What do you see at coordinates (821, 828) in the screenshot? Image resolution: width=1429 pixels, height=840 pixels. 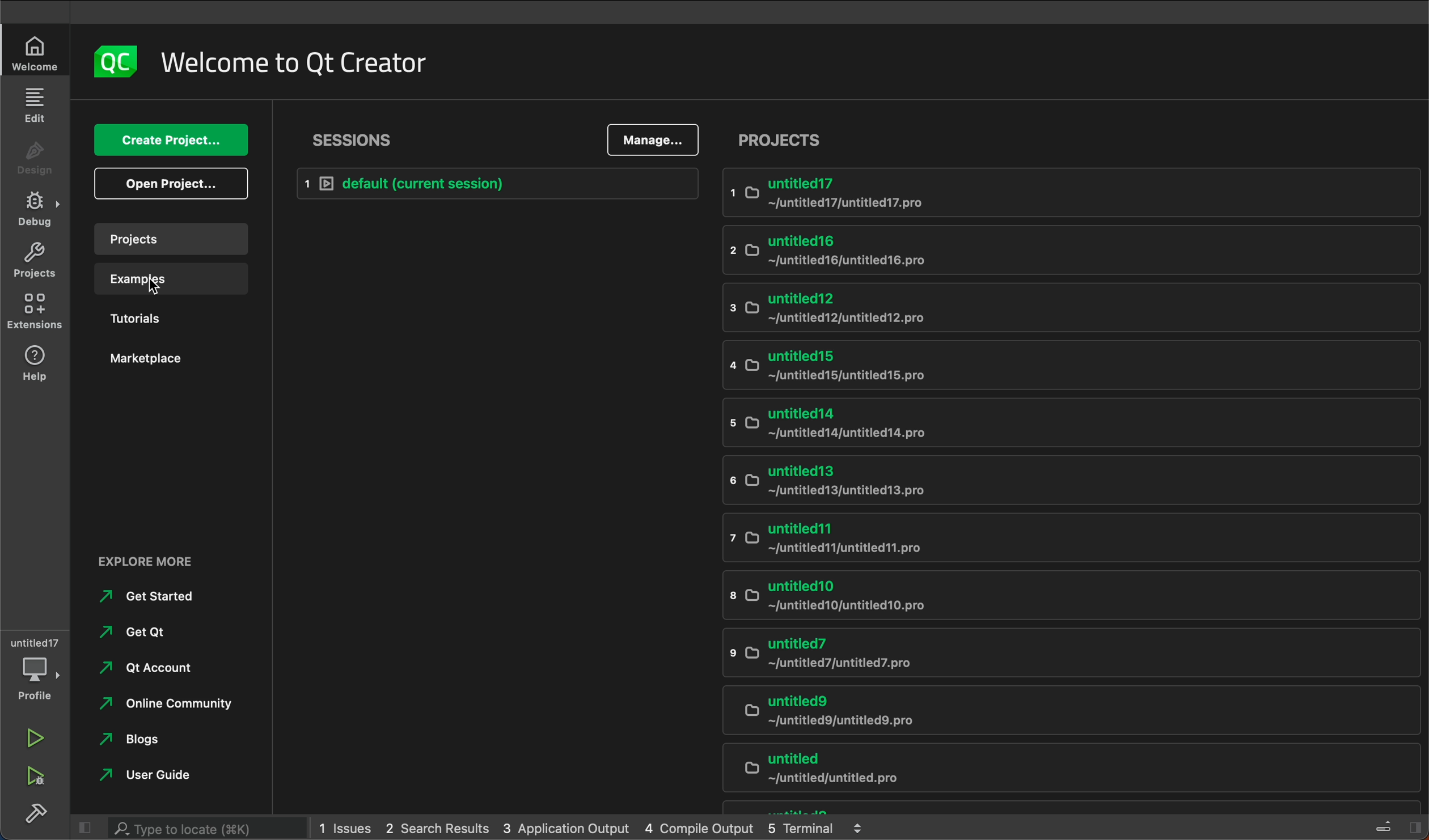 I see `terminal` at bounding box center [821, 828].